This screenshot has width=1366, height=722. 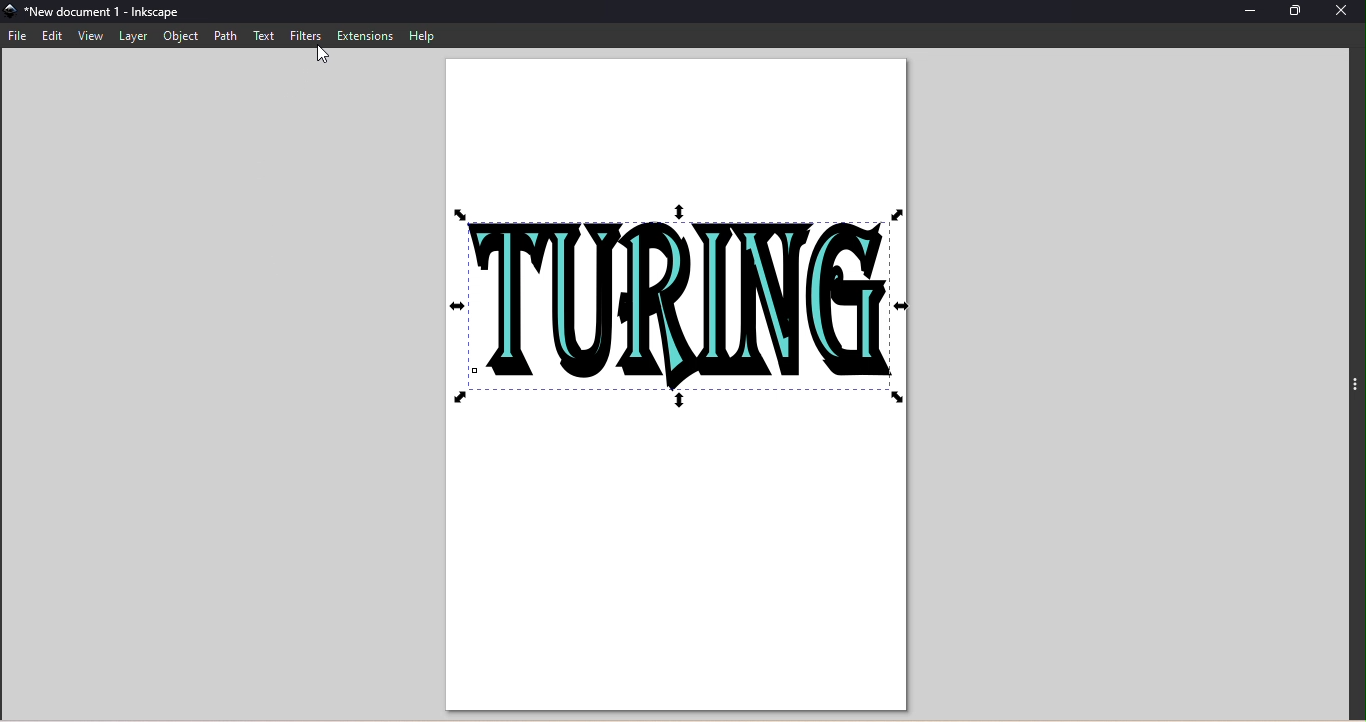 What do you see at coordinates (1253, 13) in the screenshot?
I see `Minimize` at bounding box center [1253, 13].